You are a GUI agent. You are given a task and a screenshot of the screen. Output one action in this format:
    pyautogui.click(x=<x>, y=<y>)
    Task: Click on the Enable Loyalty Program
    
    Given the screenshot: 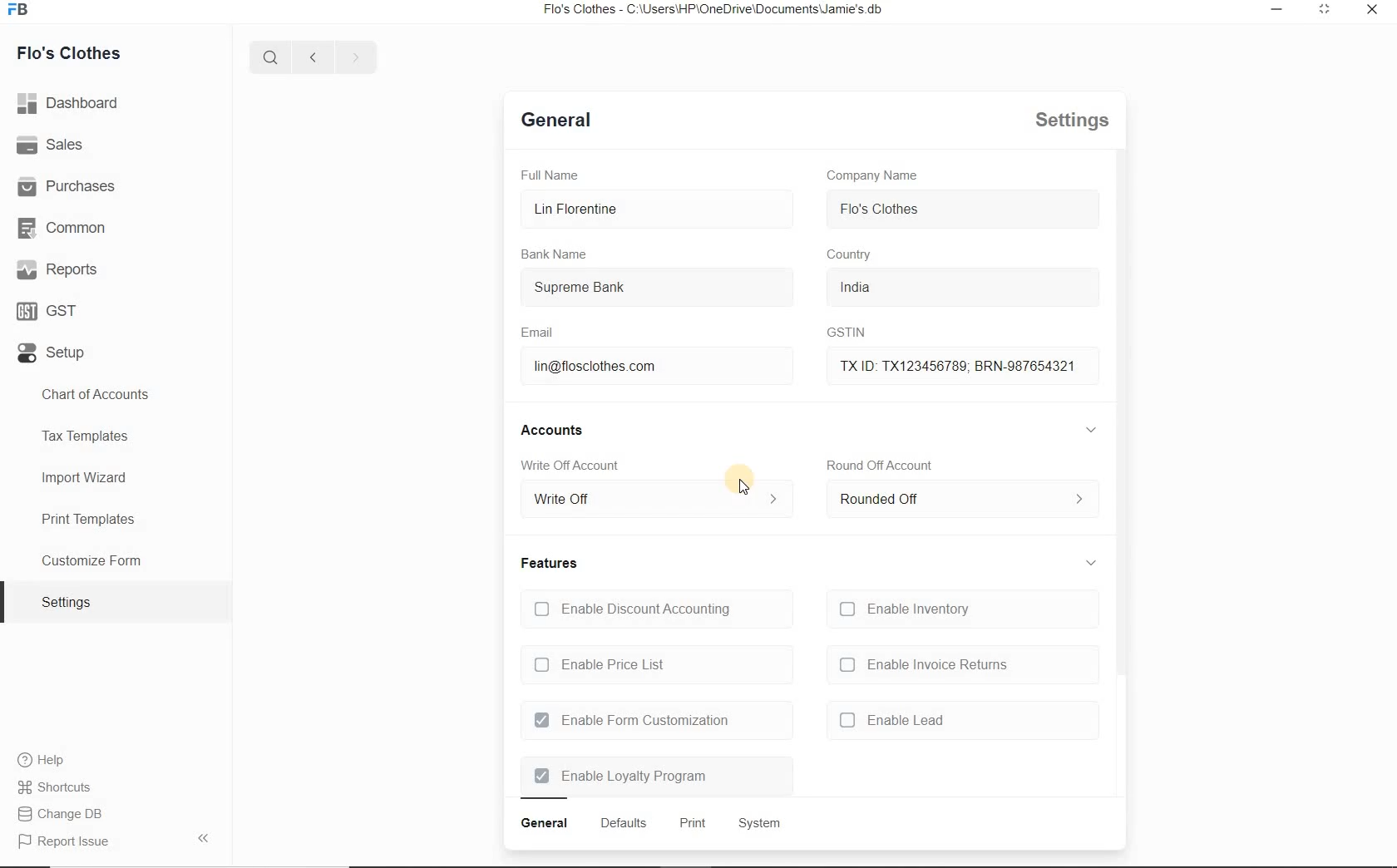 What is the action you would take?
    pyautogui.click(x=621, y=777)
    